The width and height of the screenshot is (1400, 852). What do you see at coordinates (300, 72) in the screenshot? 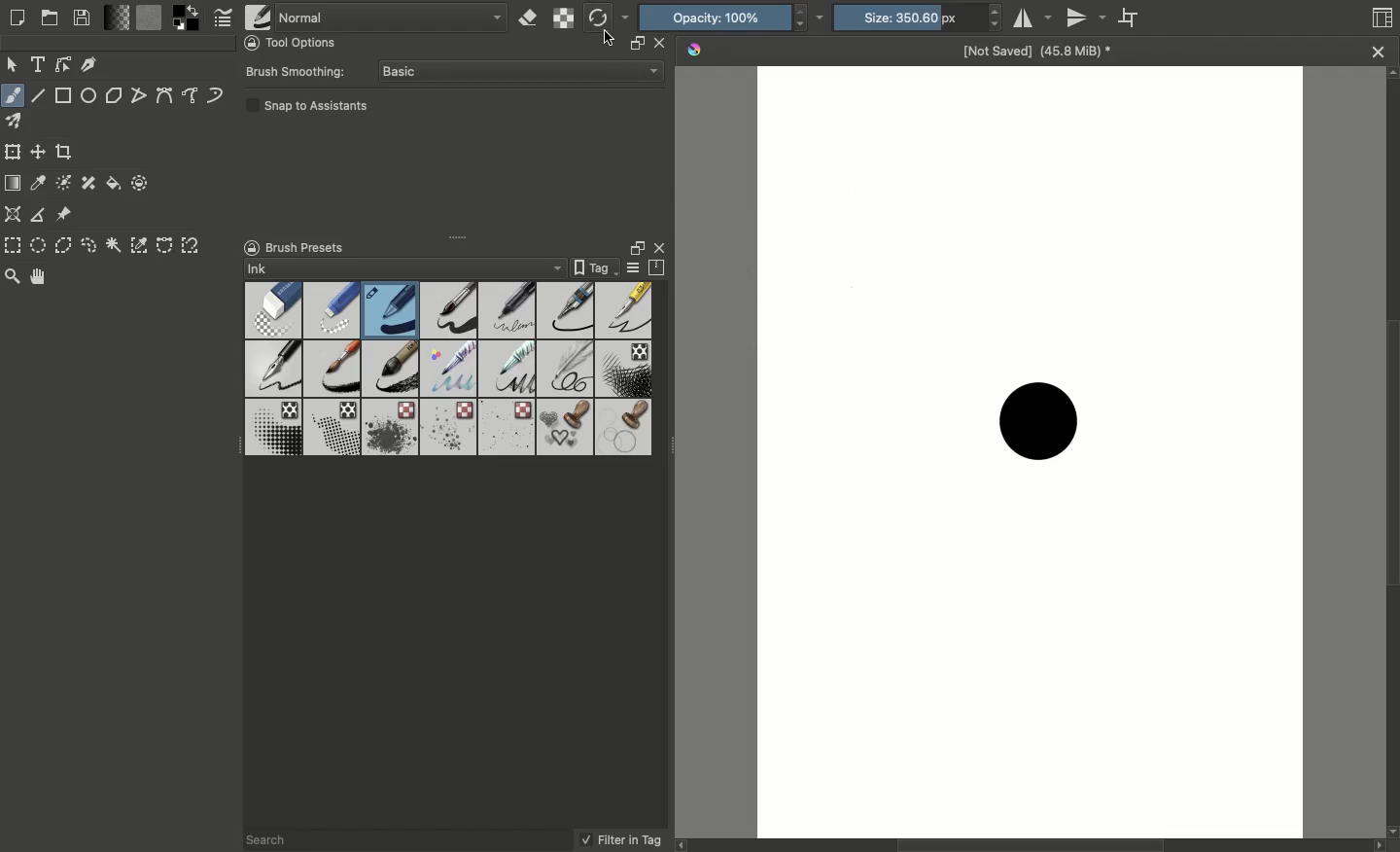
I see `Brush smoothing` at bounding box center [300, 72].